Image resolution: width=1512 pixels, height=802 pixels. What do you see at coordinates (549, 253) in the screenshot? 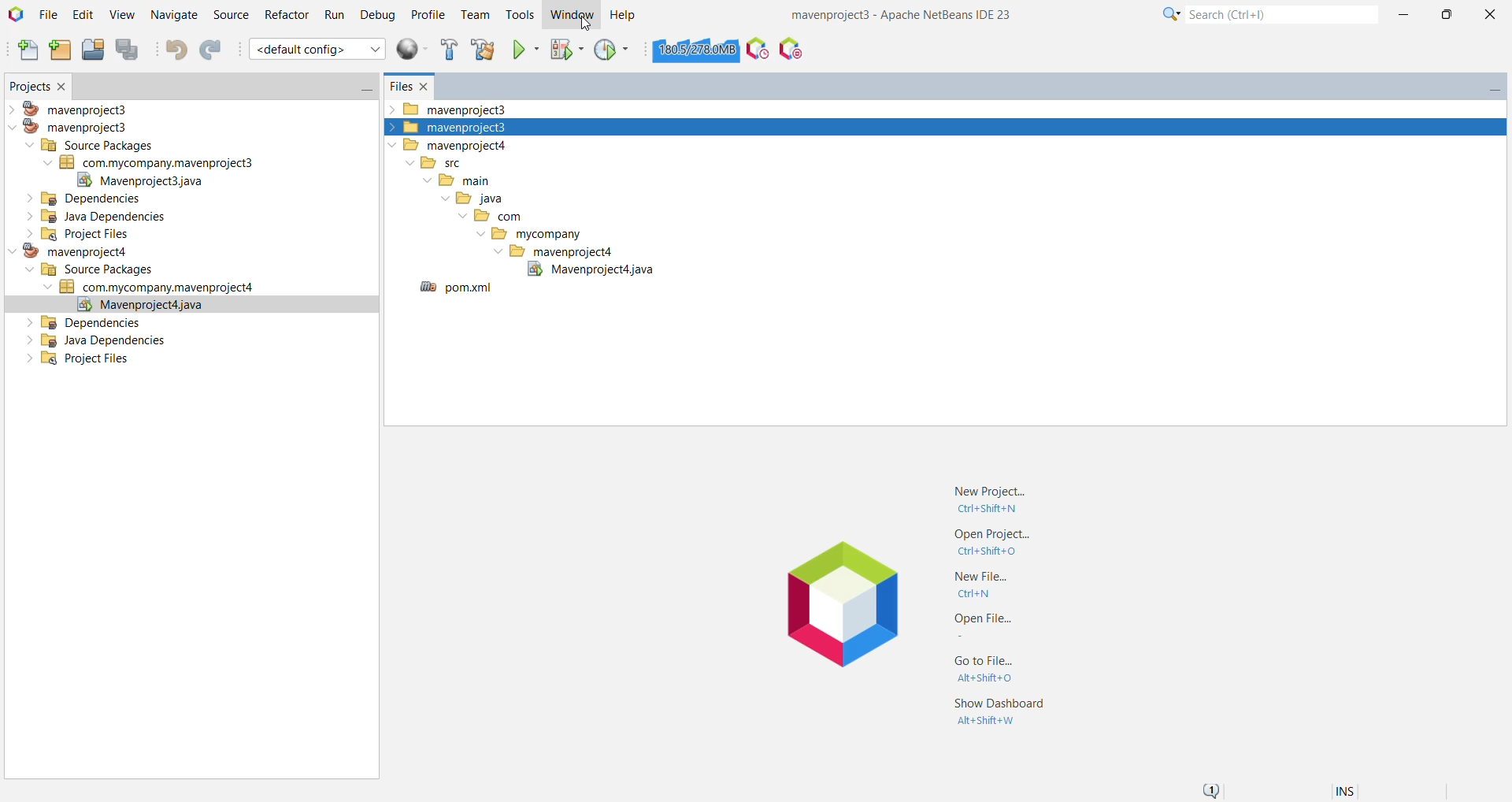
I see `mavenproject4` at bounding box center [549, 253].